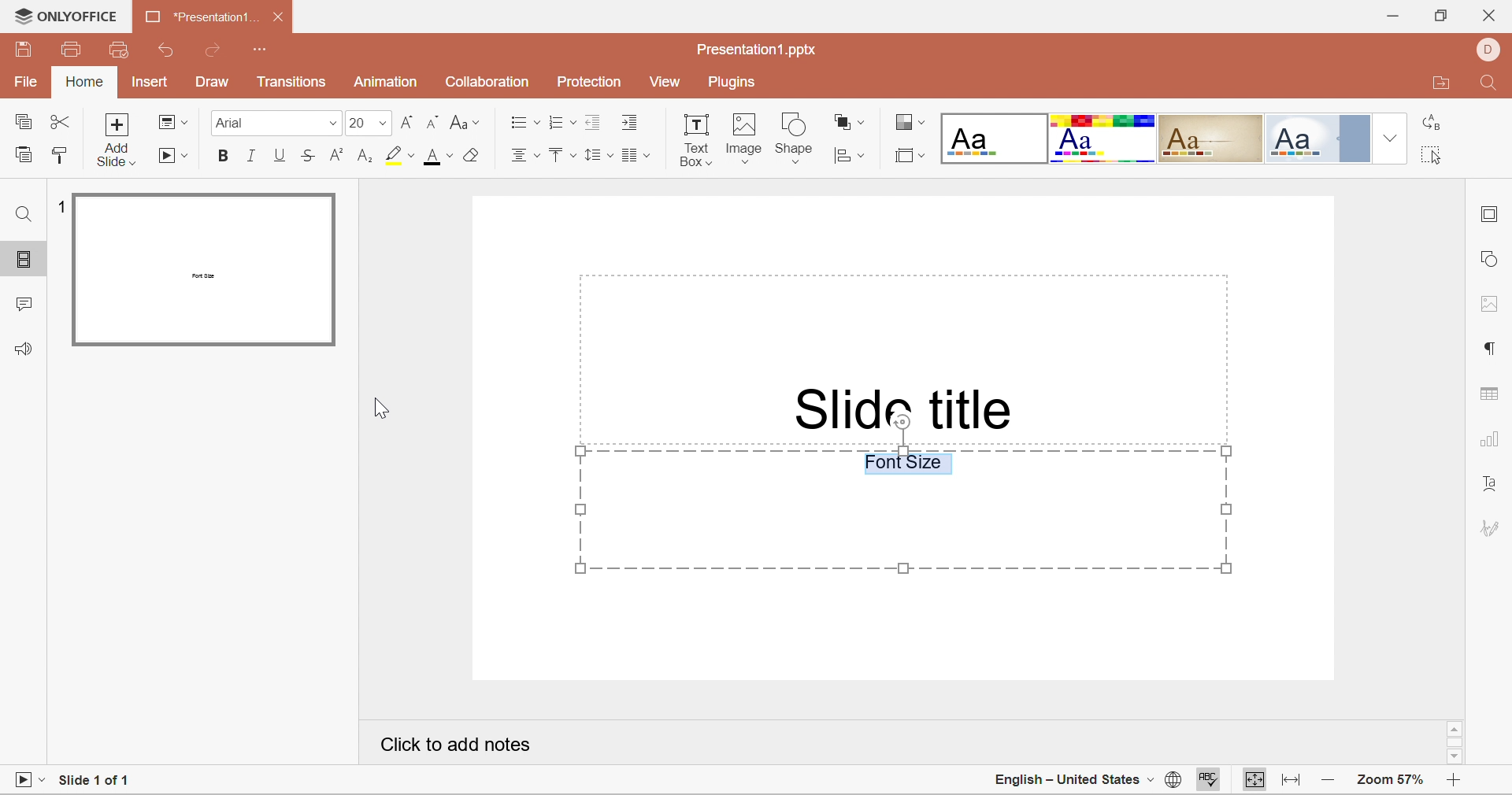  I want to click on Increase Indent, so click(632, 124).